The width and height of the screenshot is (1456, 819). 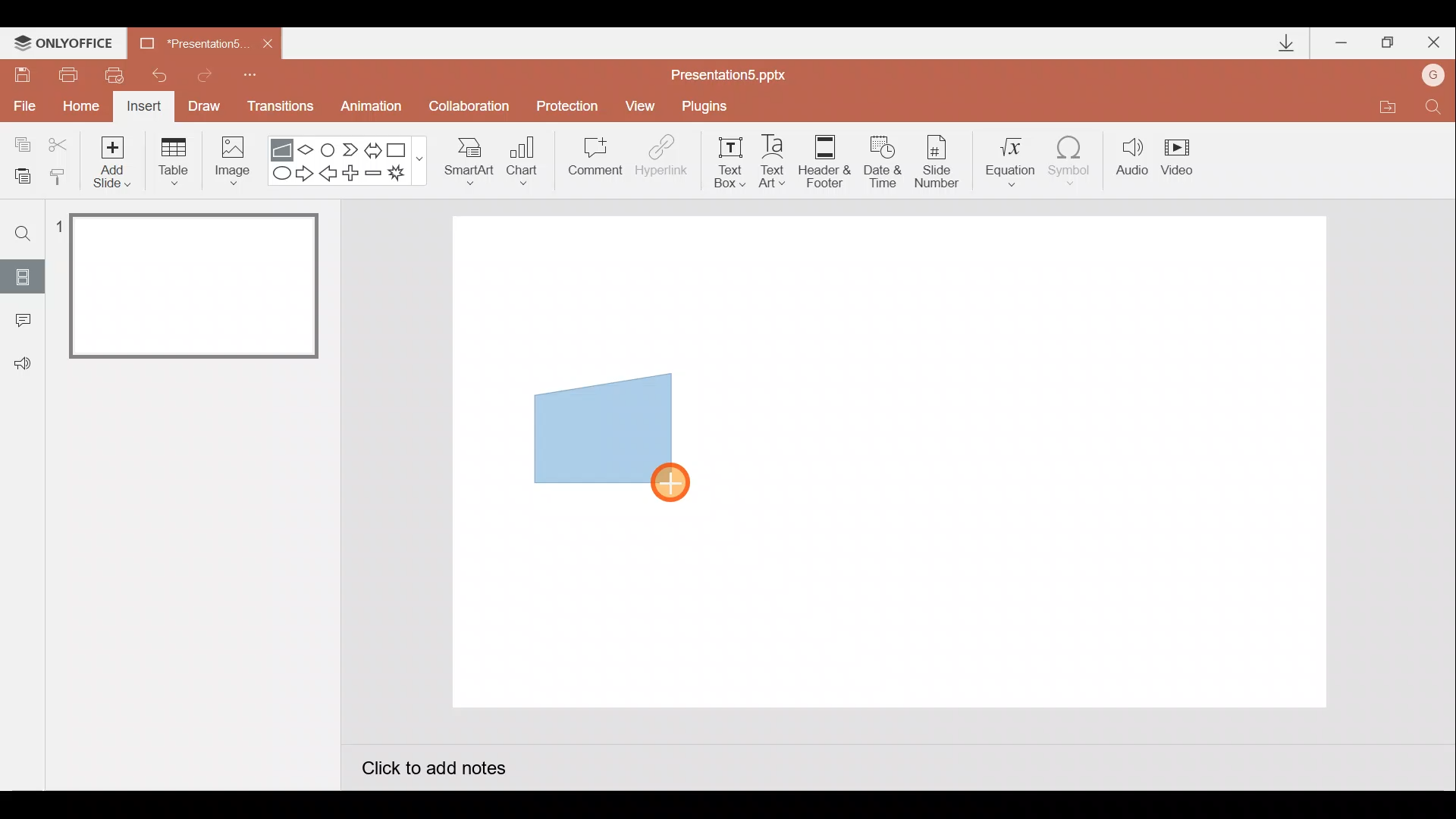 I want to click on Protection, so click(x=572, y=105).